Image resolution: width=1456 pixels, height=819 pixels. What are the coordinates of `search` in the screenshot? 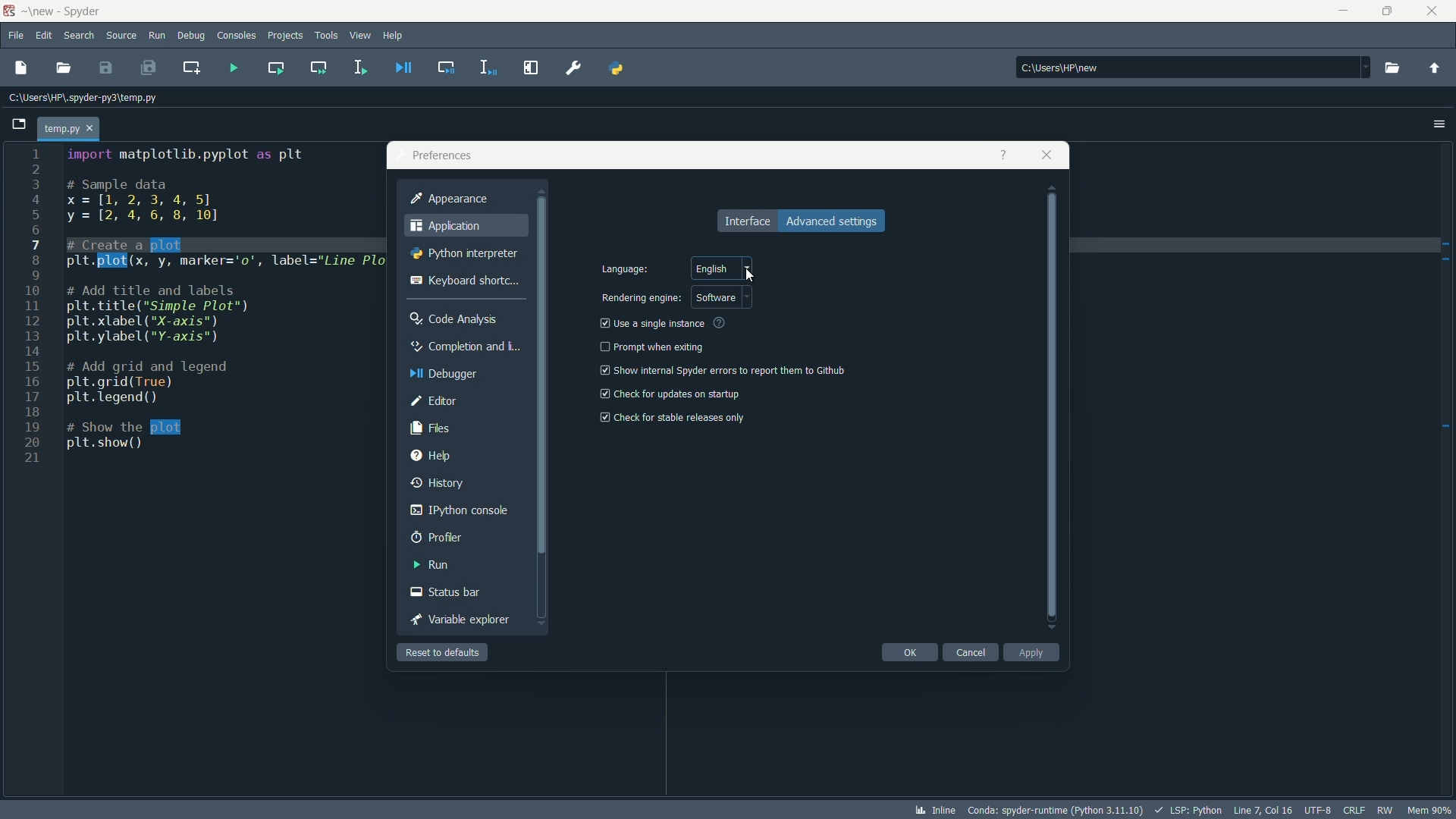 It's located at (80, 36).